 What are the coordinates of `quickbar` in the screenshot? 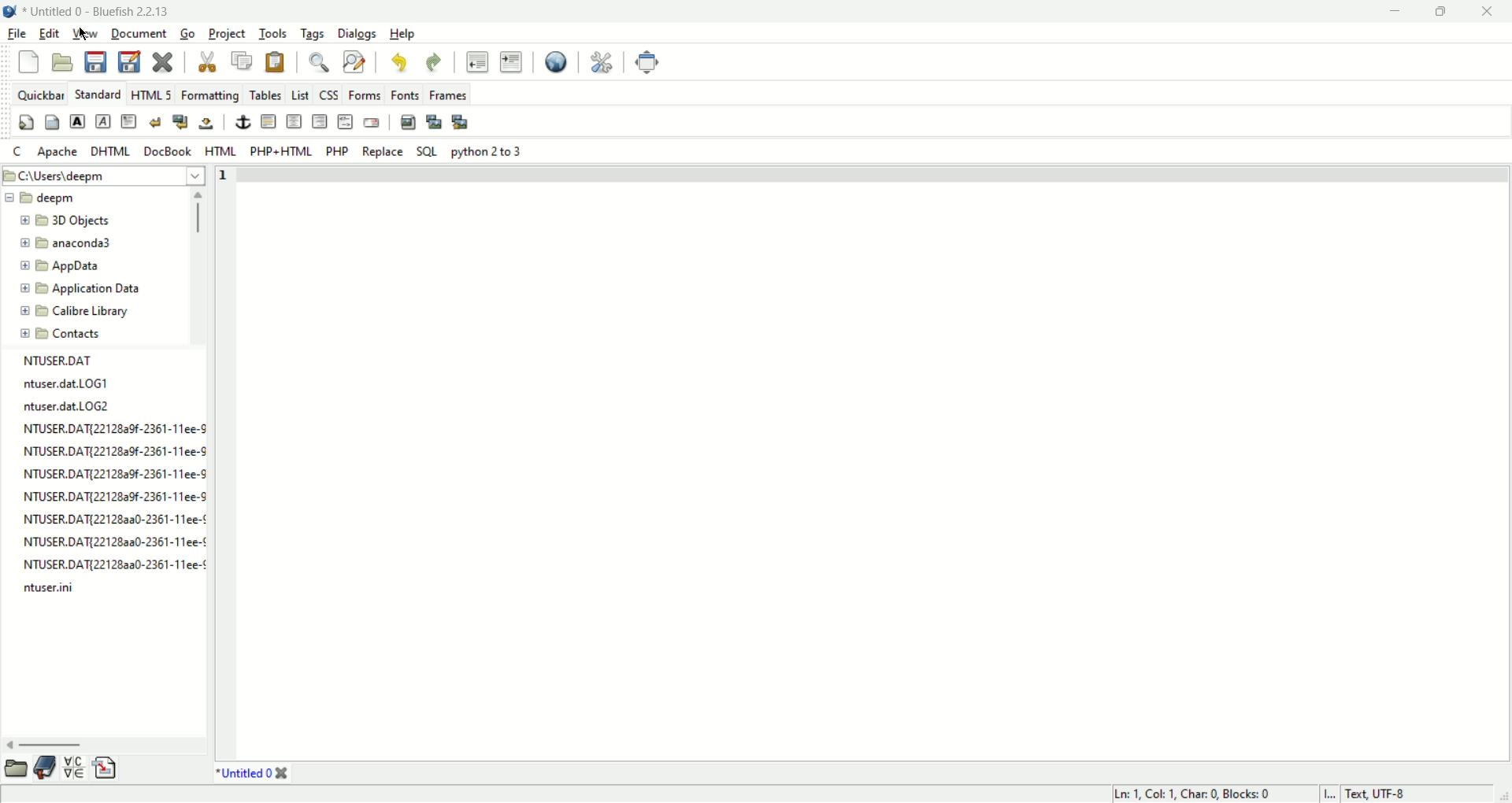 It's located at (39, 95).